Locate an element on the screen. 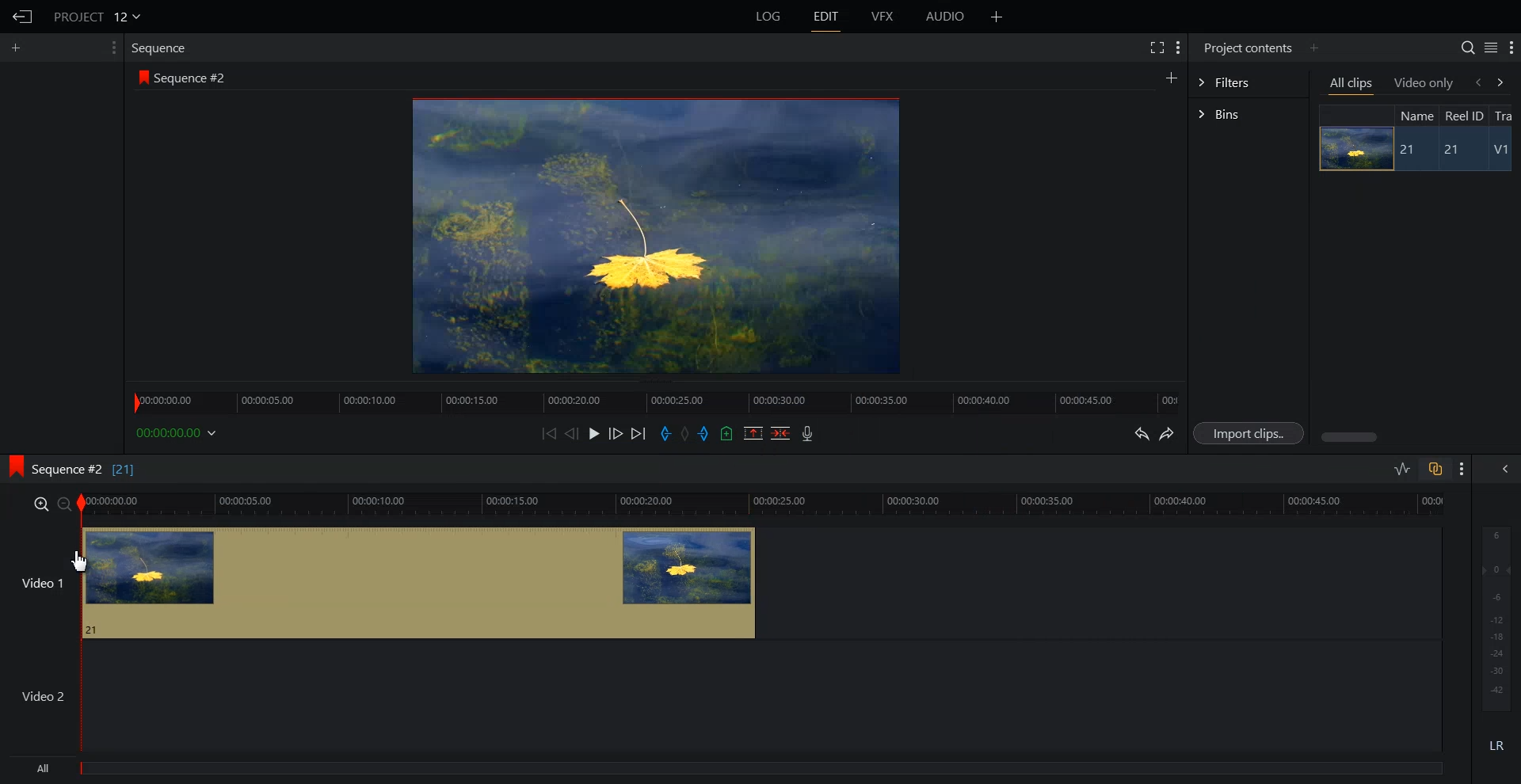  Sequence #2 is located at coordinates (194, 78).